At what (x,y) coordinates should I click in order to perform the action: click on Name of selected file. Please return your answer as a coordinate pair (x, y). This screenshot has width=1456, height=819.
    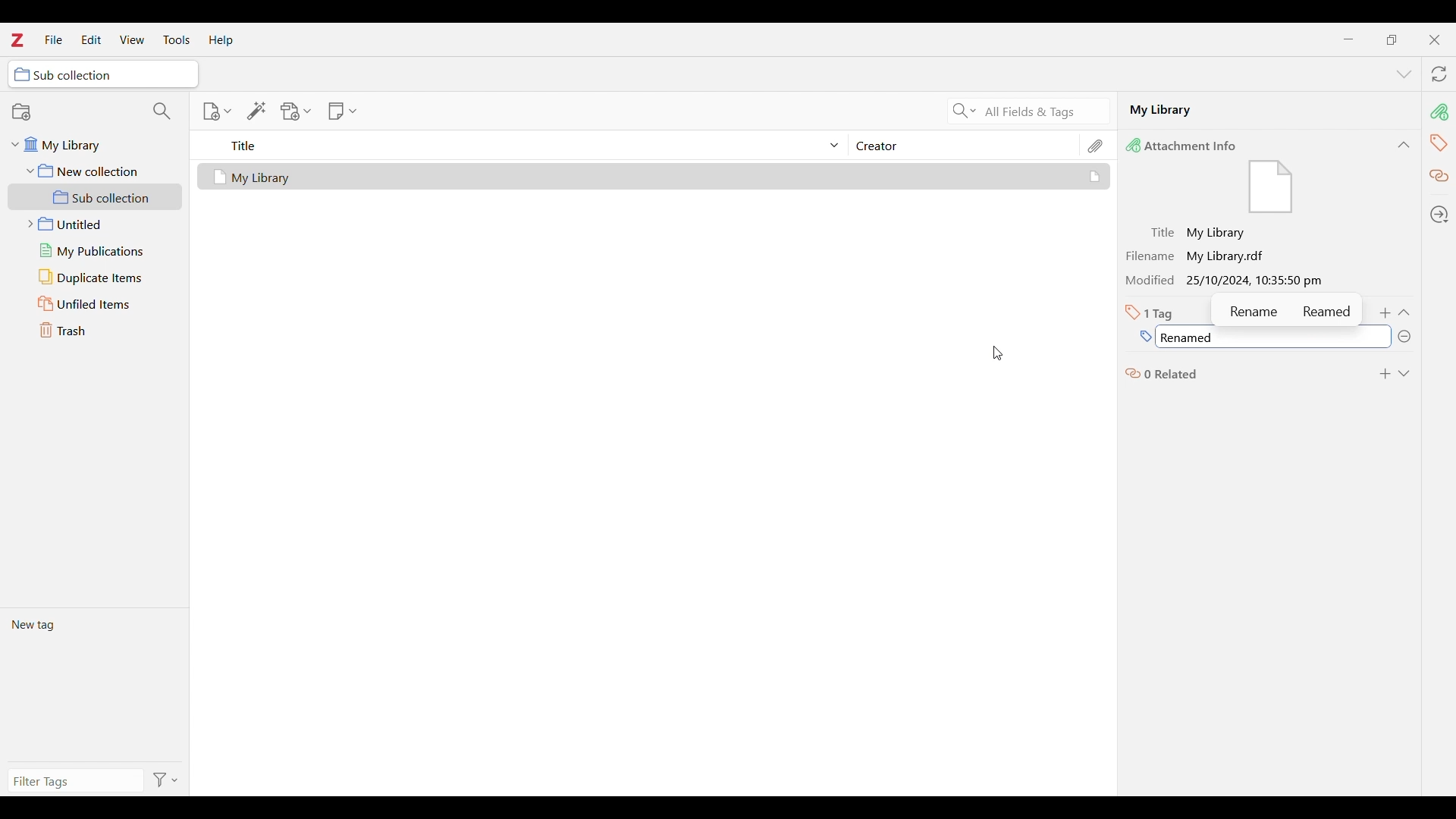
    Looking at the image, I should click on (1251, 109).